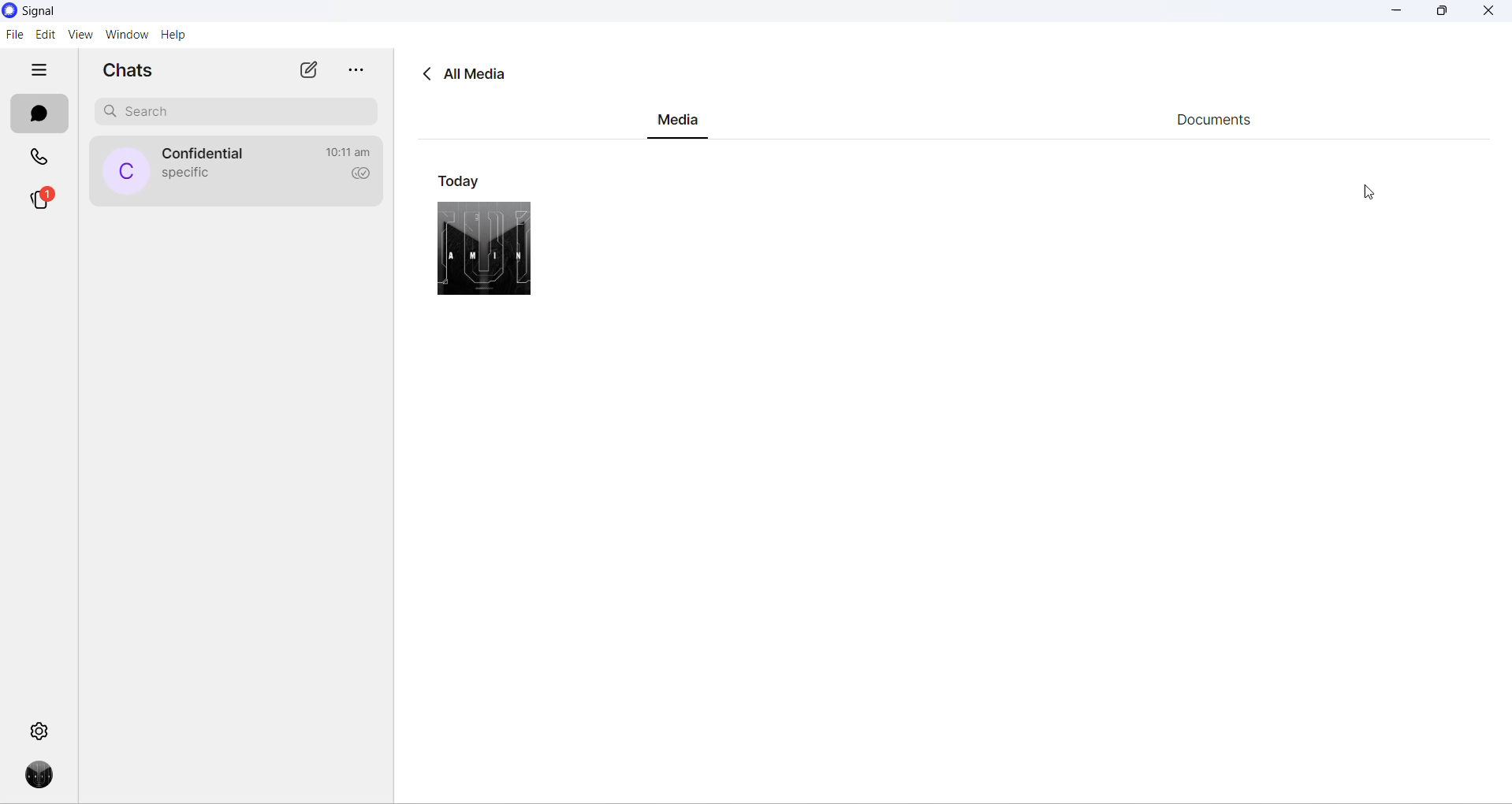 Image resolution: width=1512 pixels, height=804 pixels. I want to click on profile picture, so click(128, 172).